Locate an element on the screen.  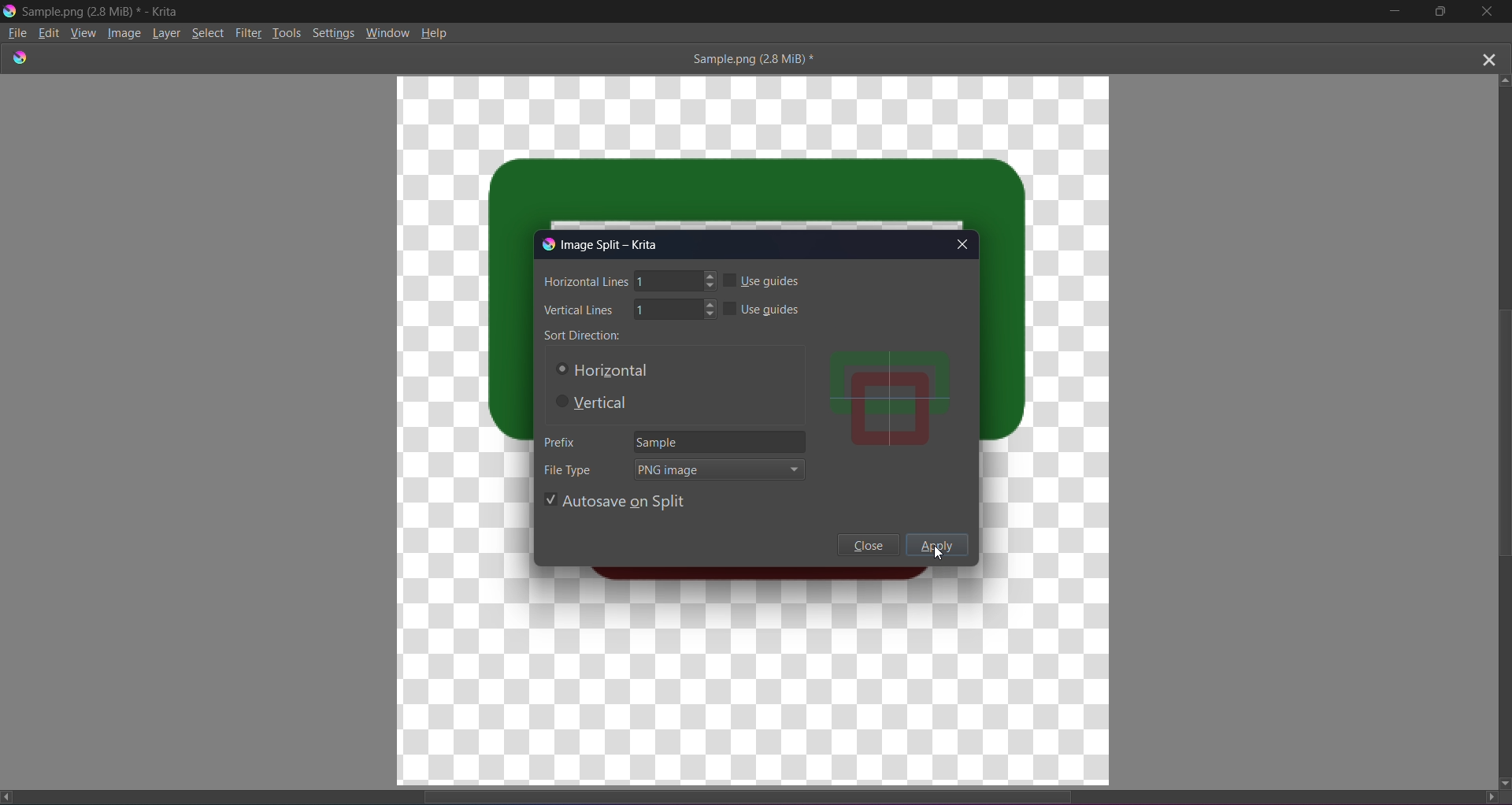
Help is located at coordinates (436, 32).